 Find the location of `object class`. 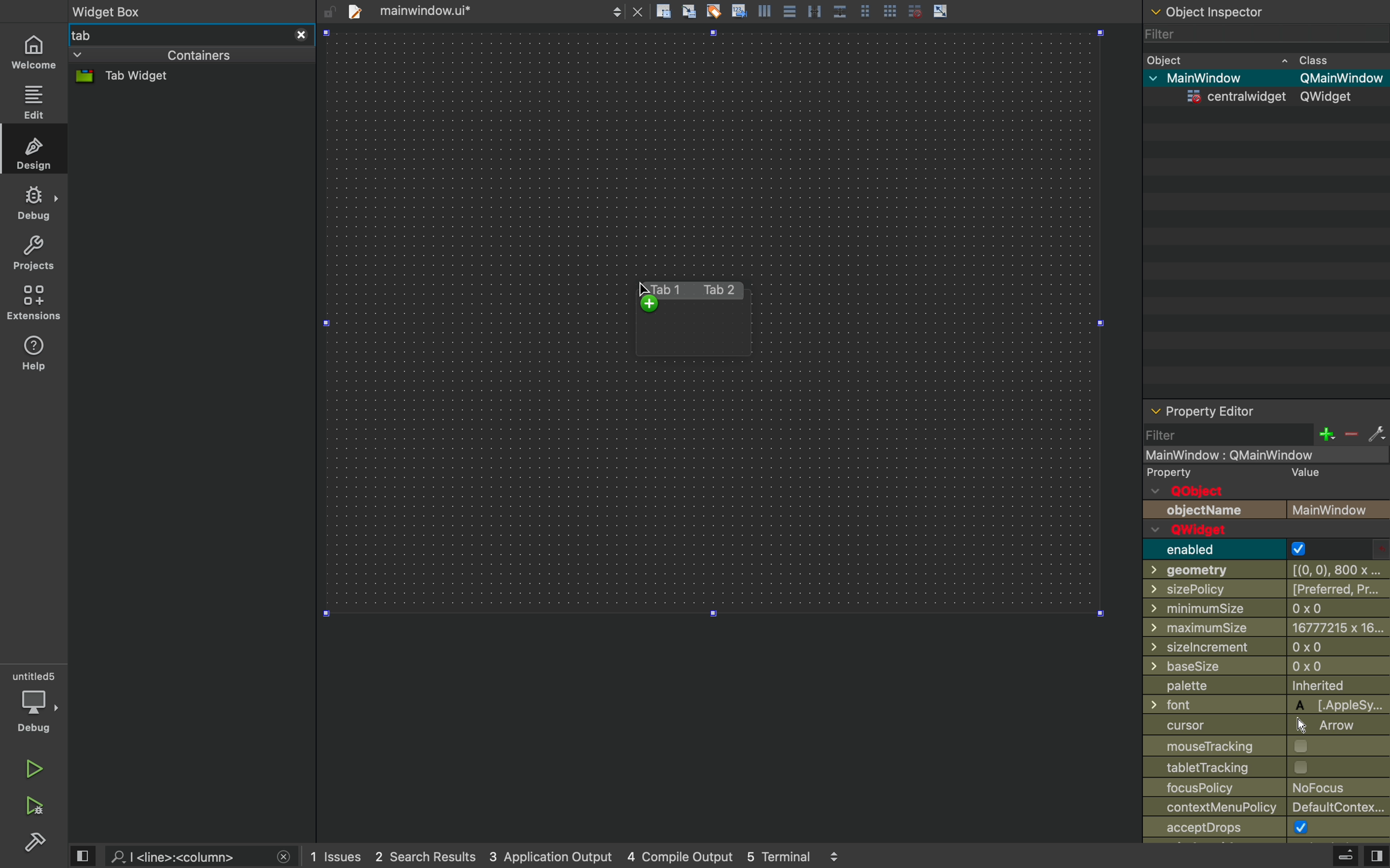

object class is located at coordinates (1260, 59).